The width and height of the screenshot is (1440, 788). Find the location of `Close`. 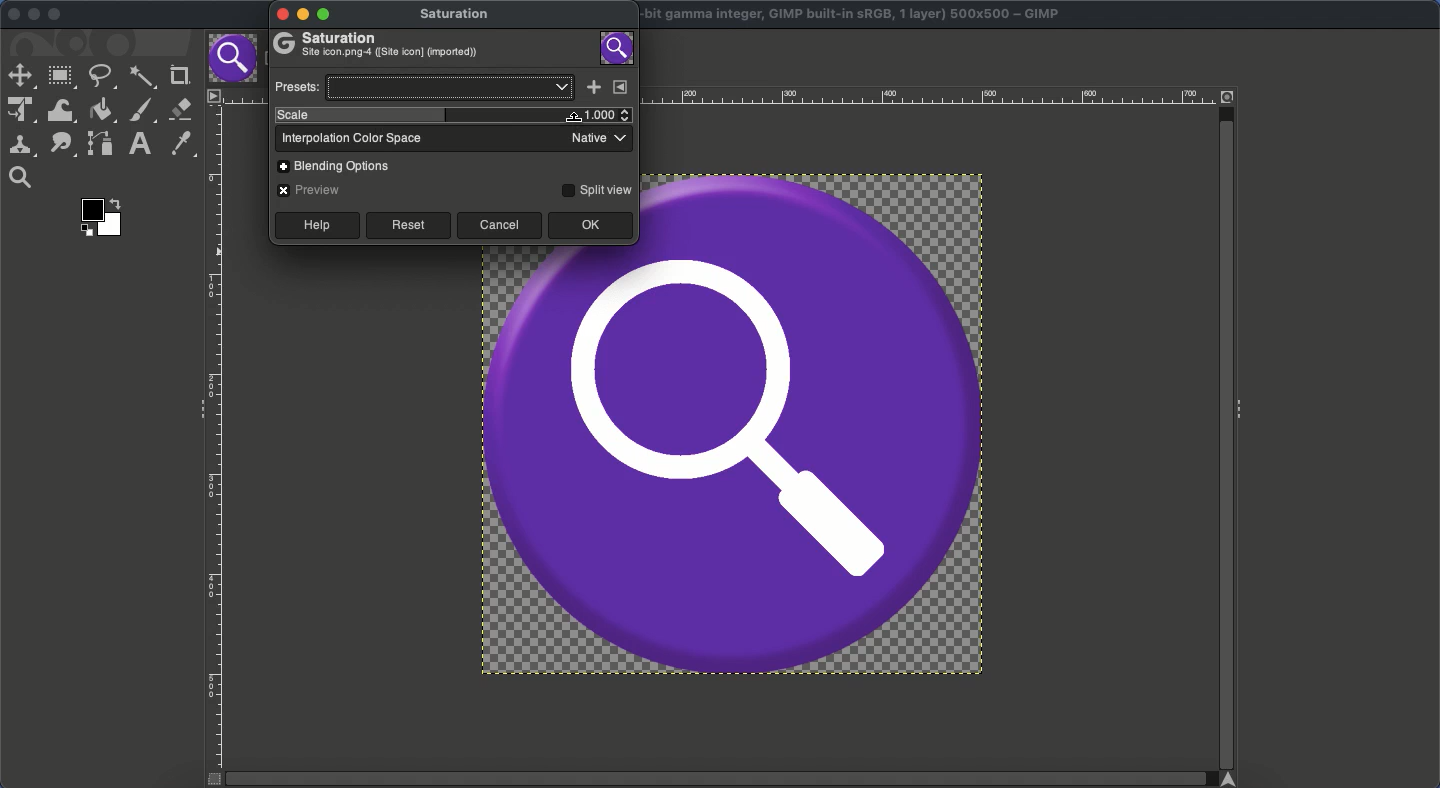

Close is located at coordinates (12, 13).